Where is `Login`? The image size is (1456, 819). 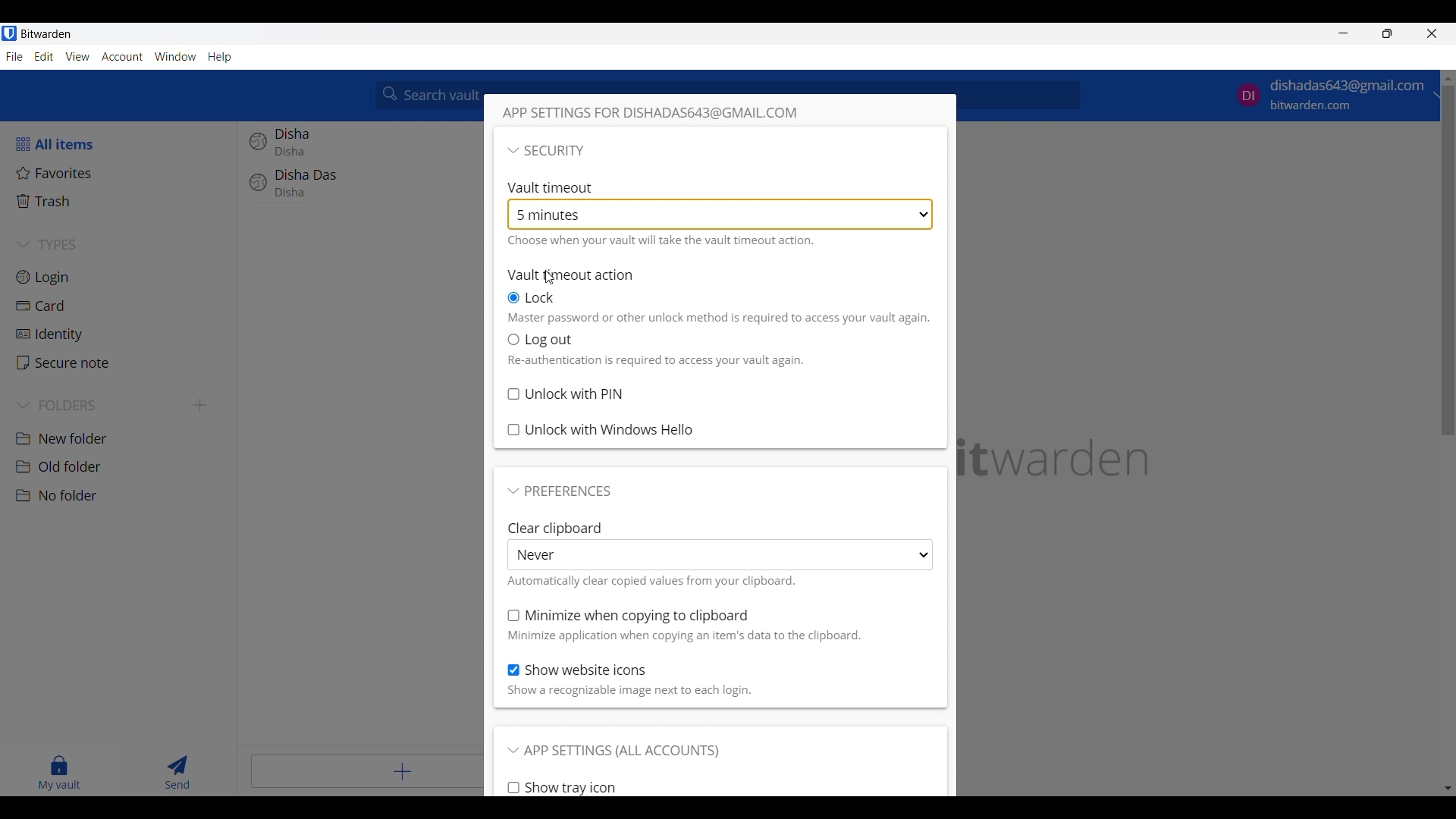 Login is located at coordinates (122, 277).